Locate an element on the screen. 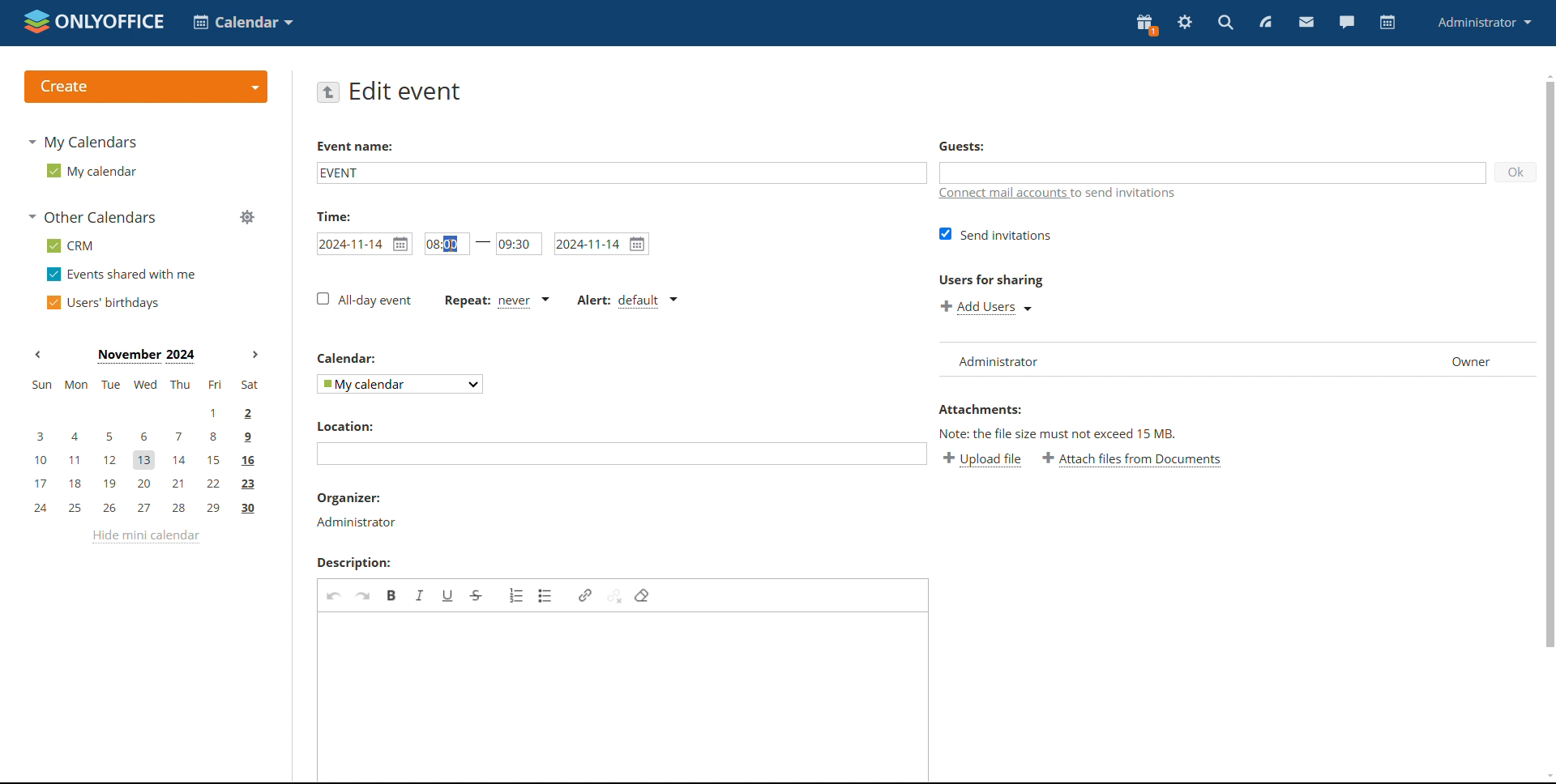  guests is located at coordinates (963, 147).